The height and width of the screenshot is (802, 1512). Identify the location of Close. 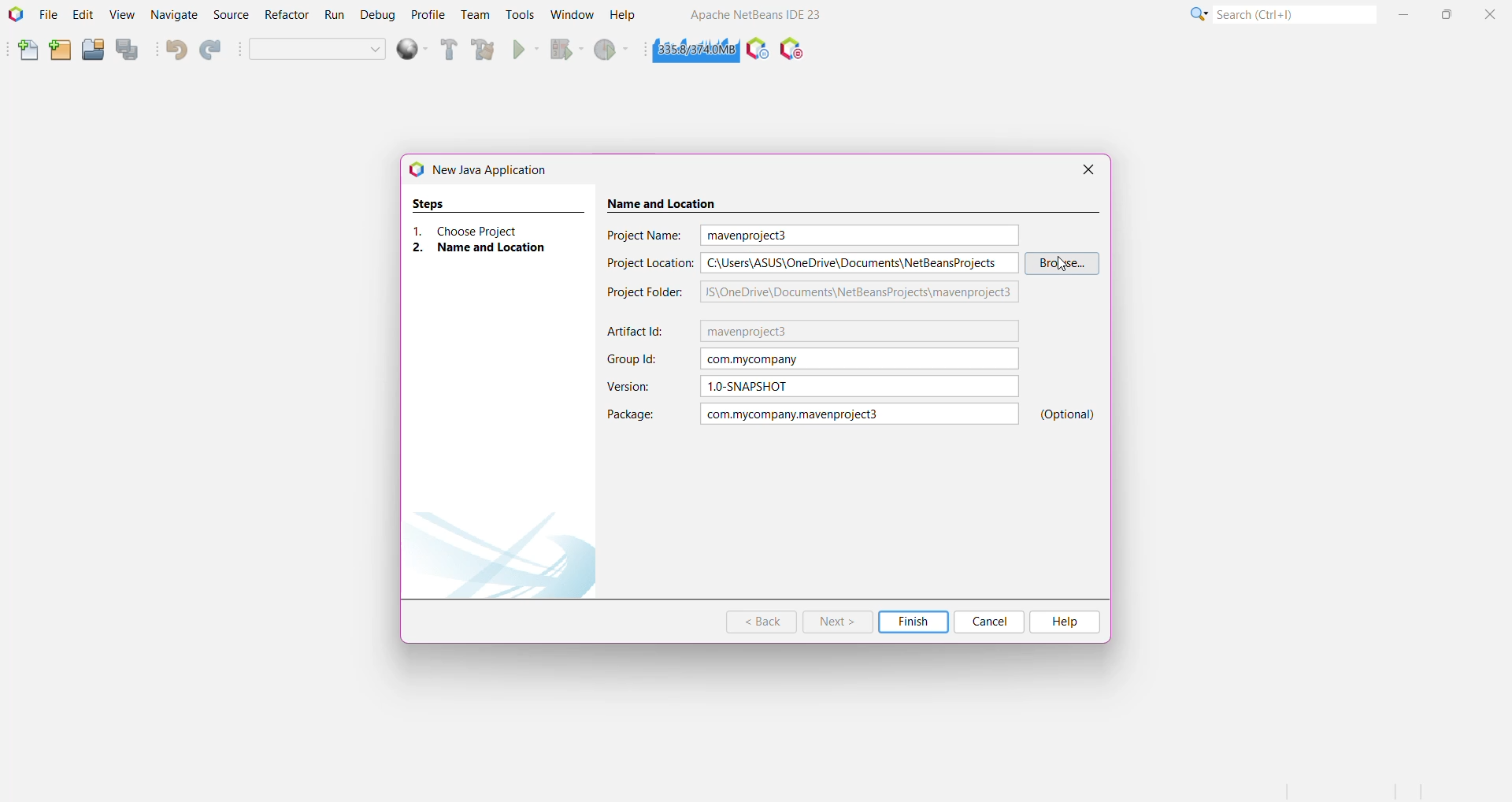
(1489, 16).